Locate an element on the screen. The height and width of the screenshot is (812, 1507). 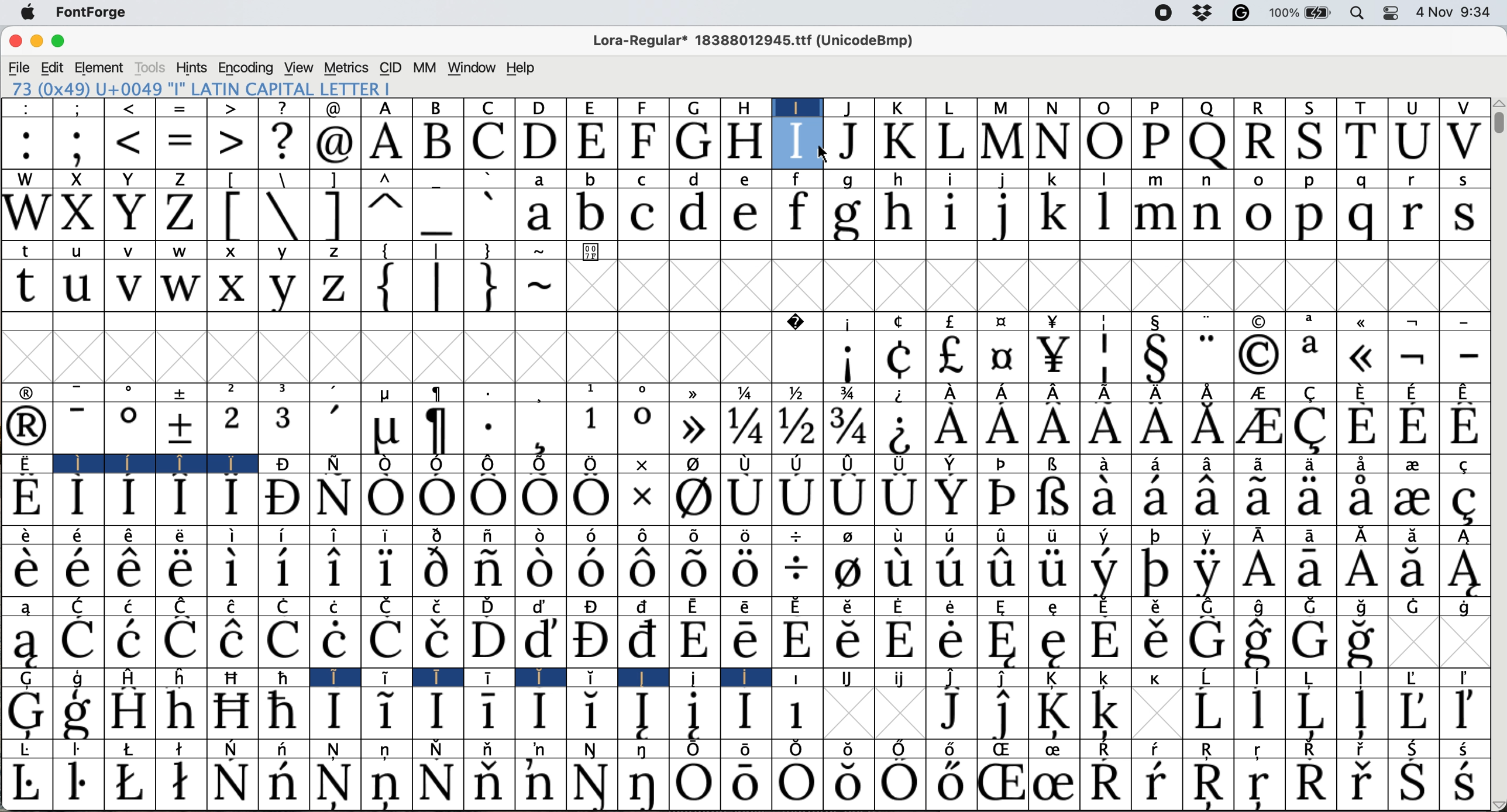
C is located at coordinates (490, 143).